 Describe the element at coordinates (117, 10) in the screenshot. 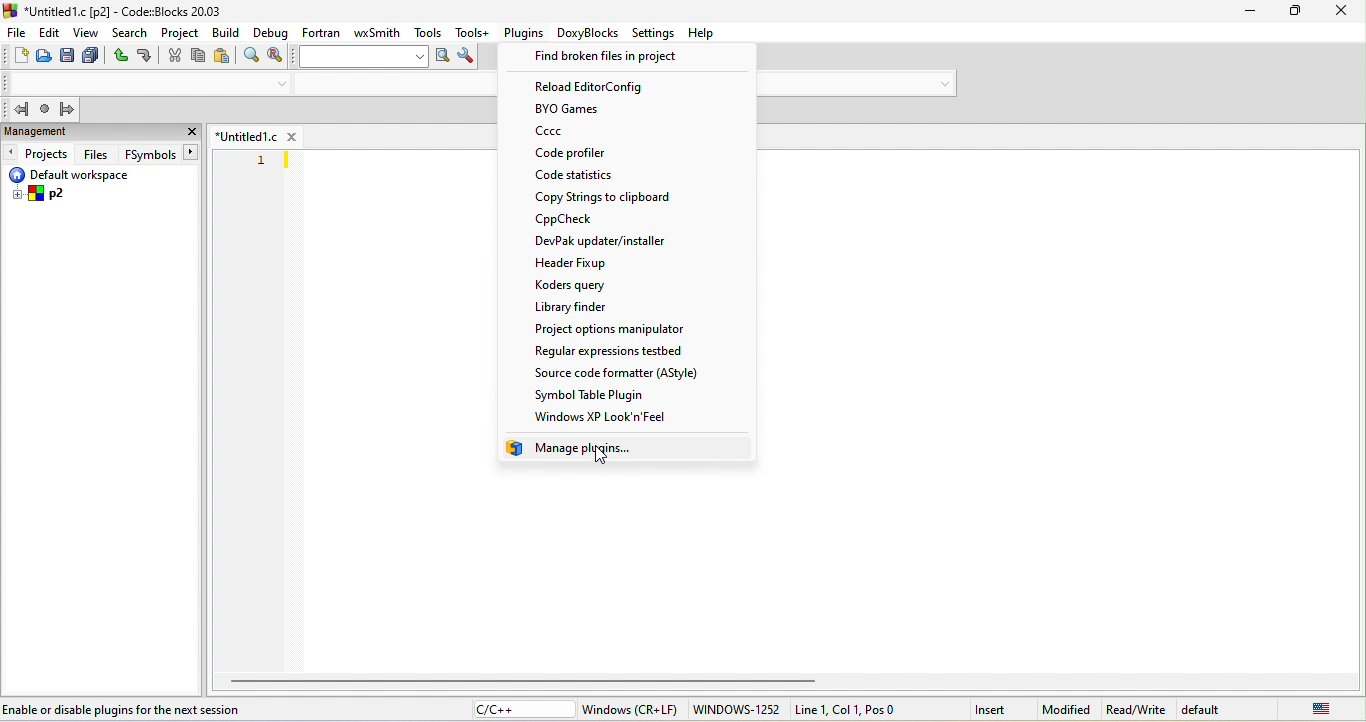

I see `title` at that location.